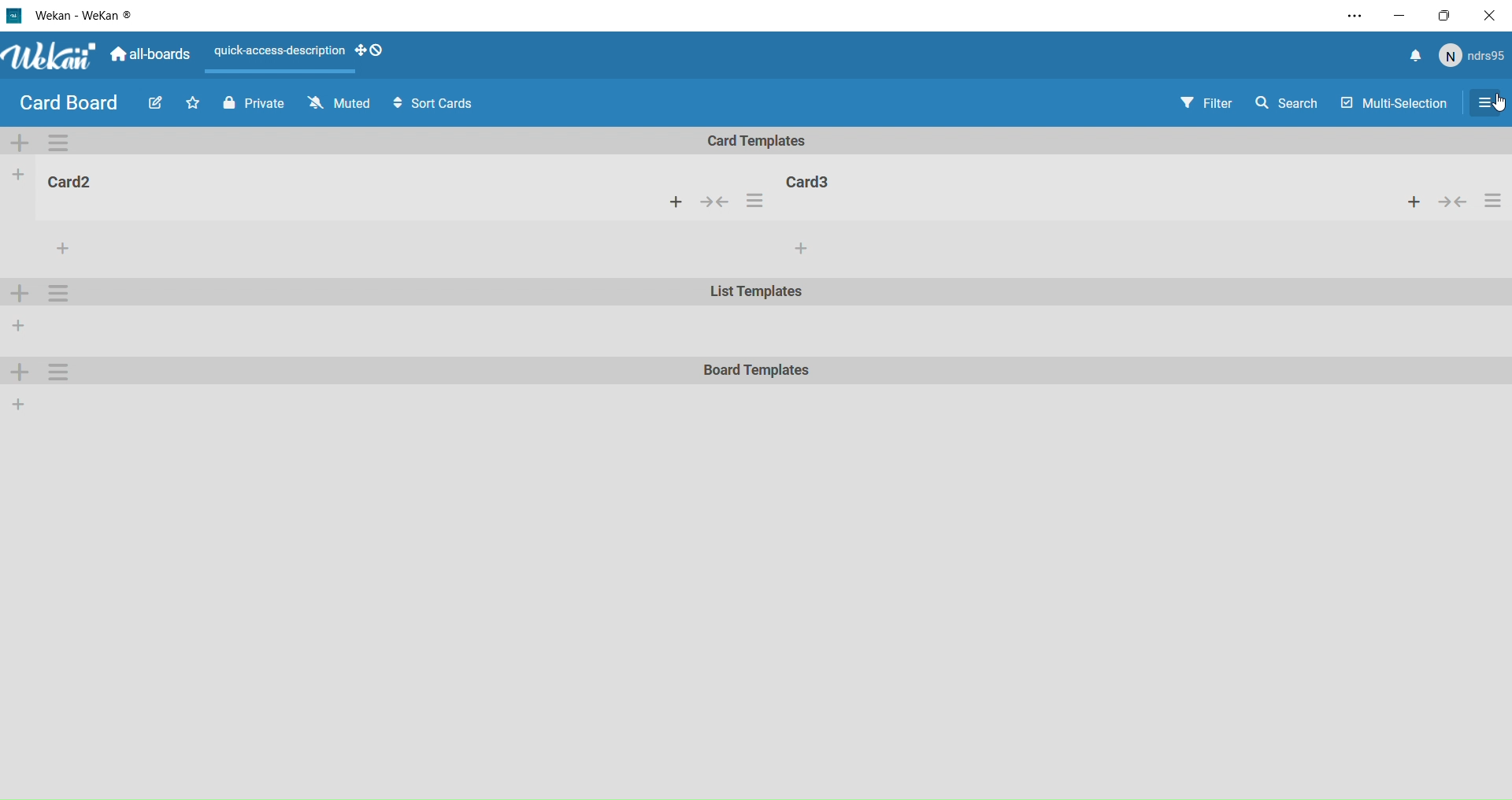 The width and height of the screenshot is (1512, 800). What do you see at coordinates (191, 102) in the screenshot?
I see `` at bounding box center [191, 102].